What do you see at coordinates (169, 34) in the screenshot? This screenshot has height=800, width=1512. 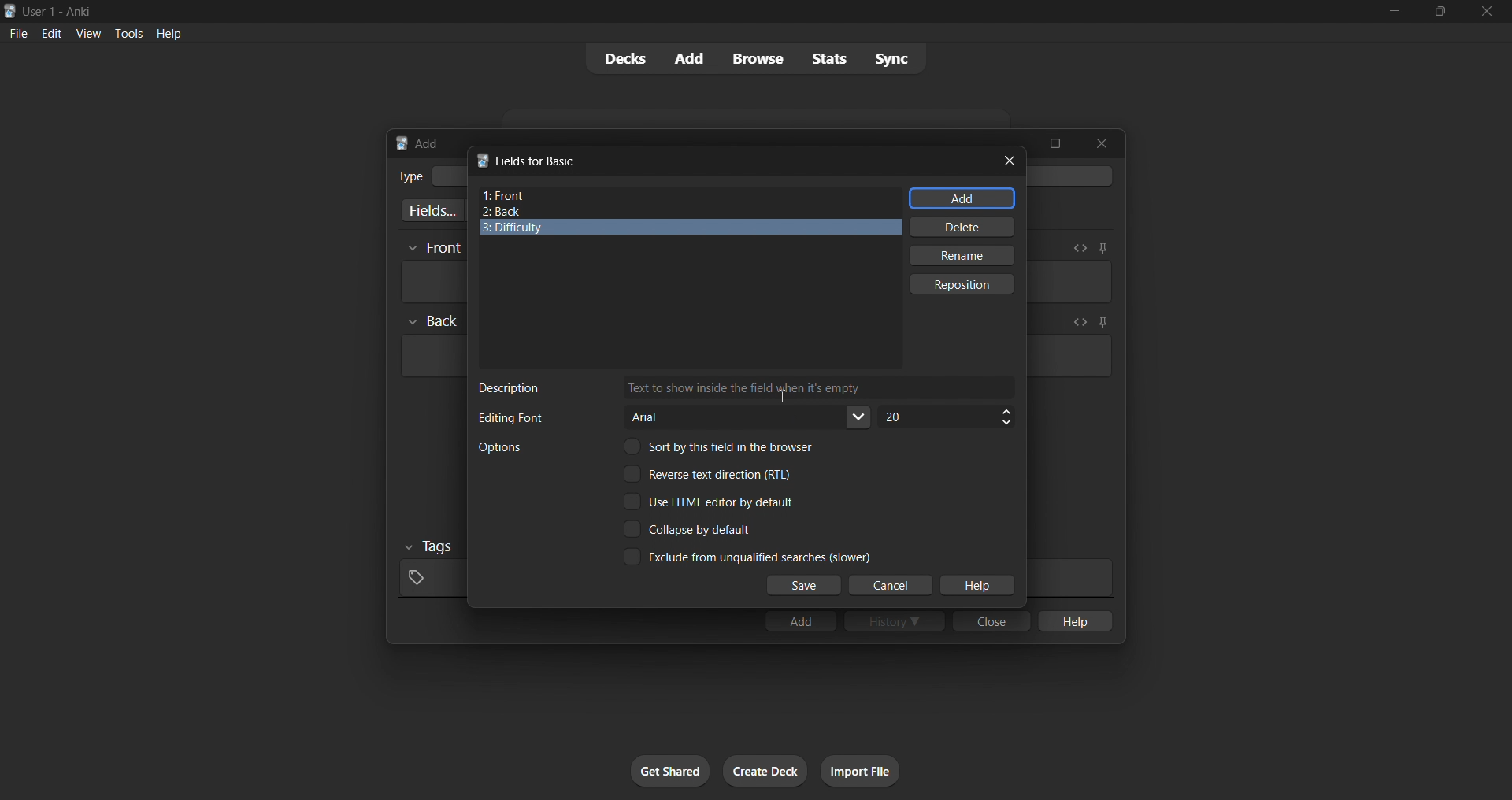 I see `help` at bounding box center [169, 34].